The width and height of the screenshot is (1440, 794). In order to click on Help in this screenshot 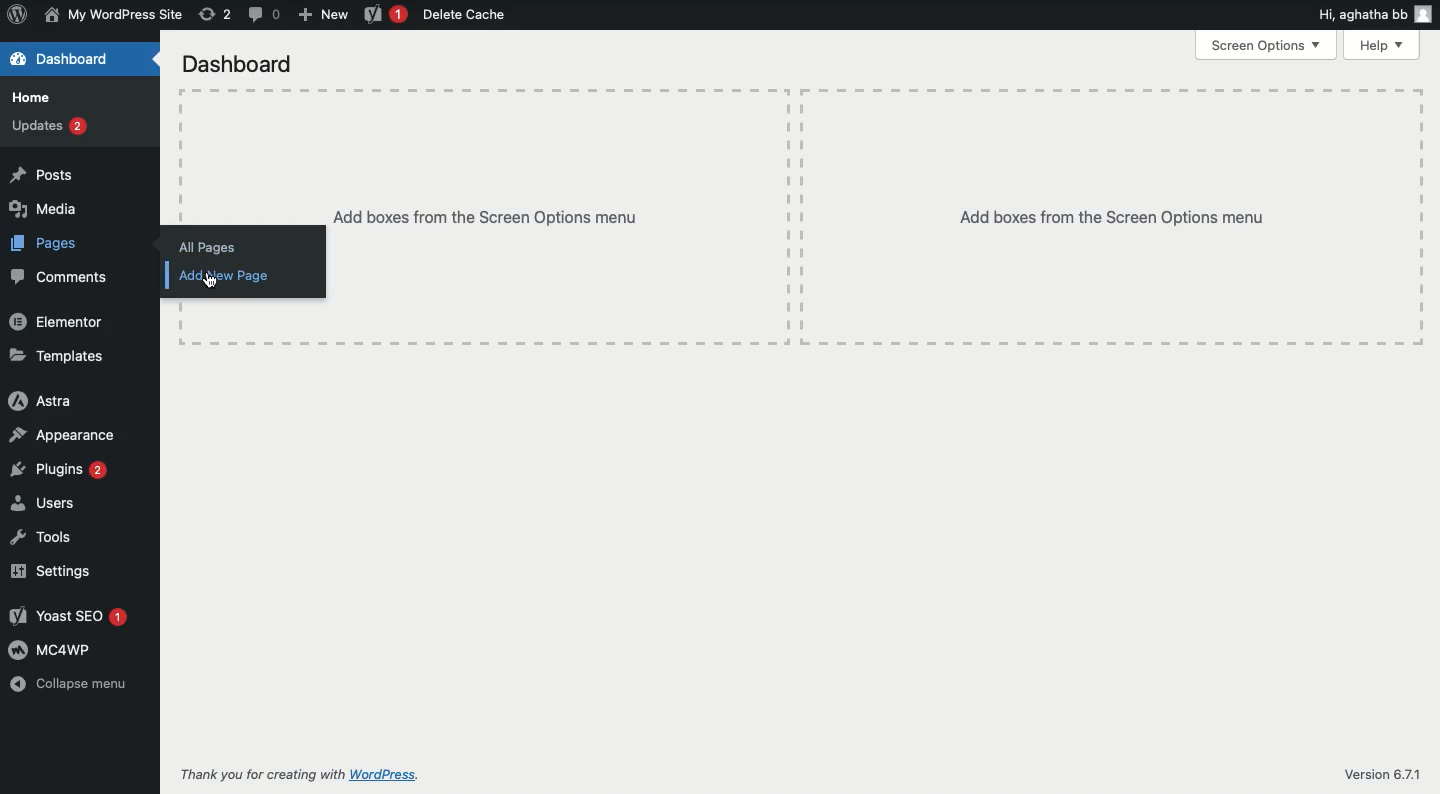, I will do `click(1381, 44)`.